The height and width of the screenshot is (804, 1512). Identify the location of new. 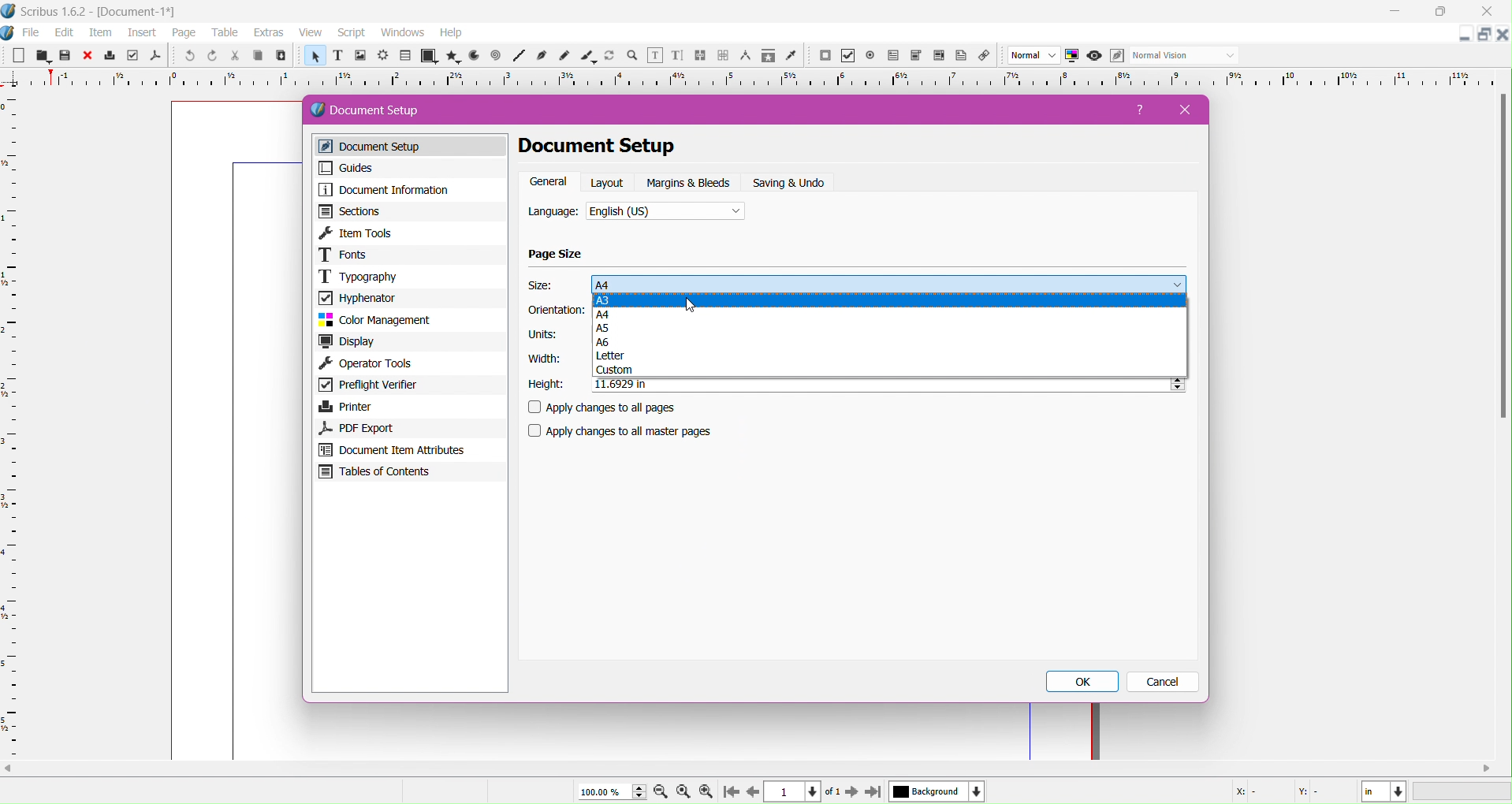
(17, 57).